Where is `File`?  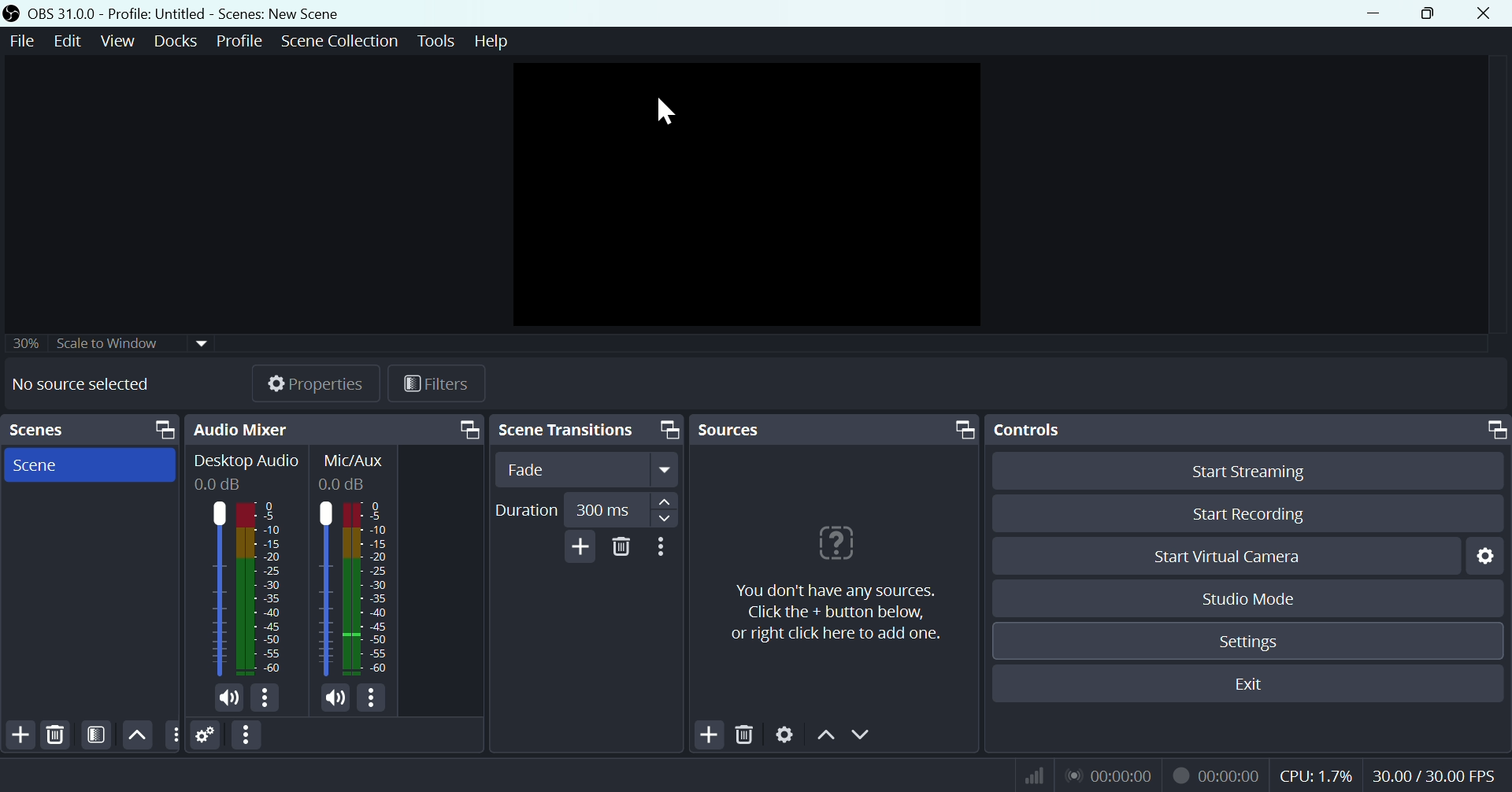
File is located at coordinates (23, 40).